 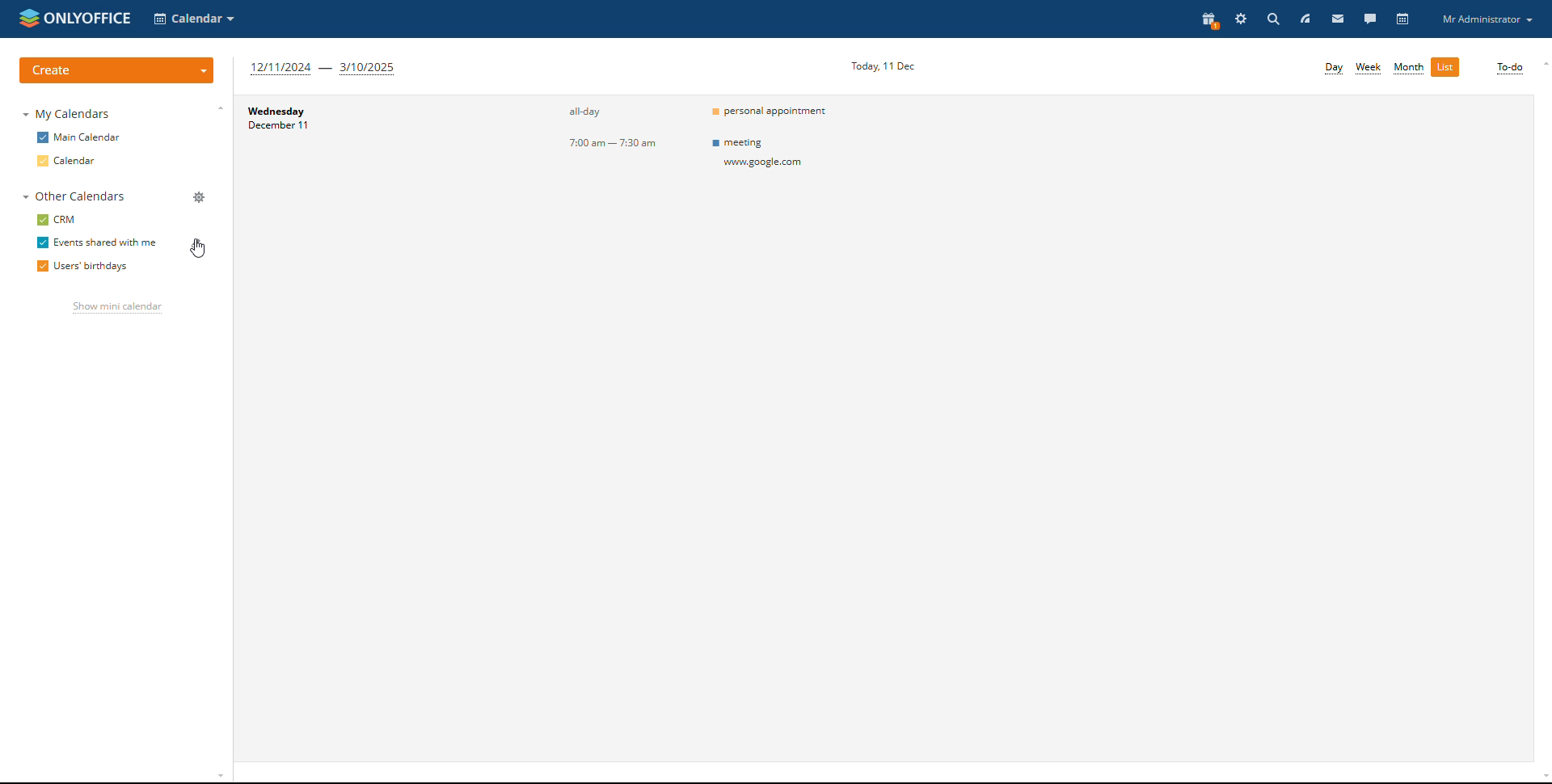 I want to click on events shared with me, so click(x=96, y=242).